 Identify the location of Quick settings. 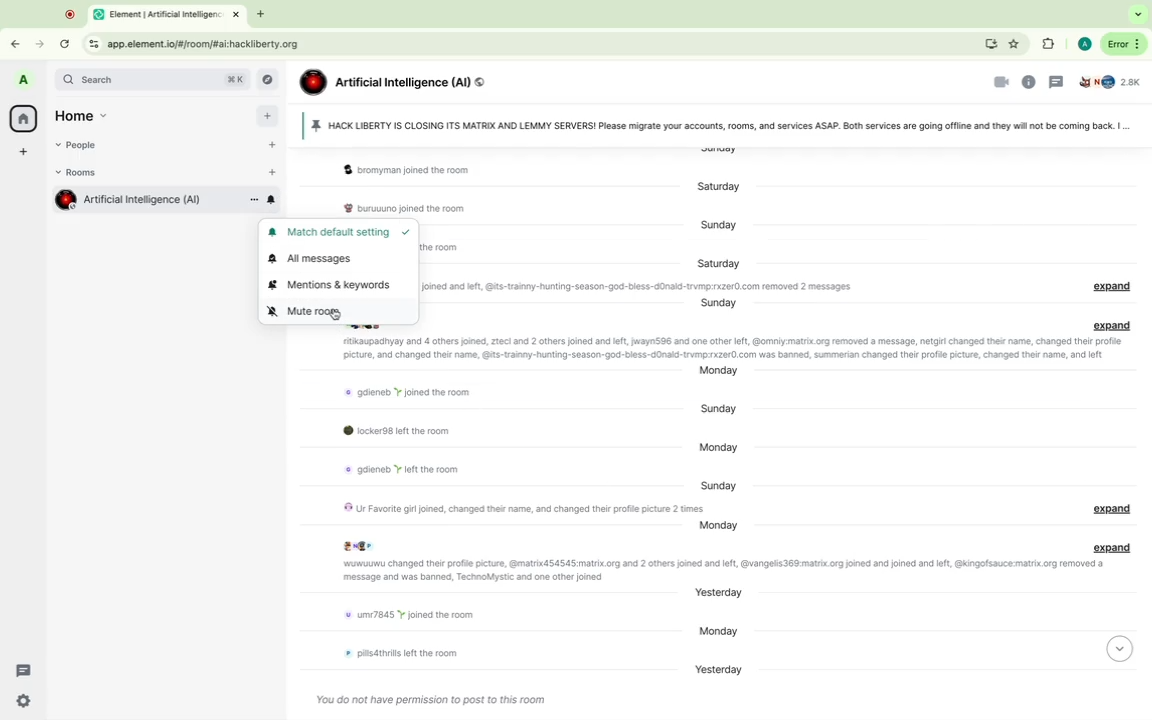
(24, 699).